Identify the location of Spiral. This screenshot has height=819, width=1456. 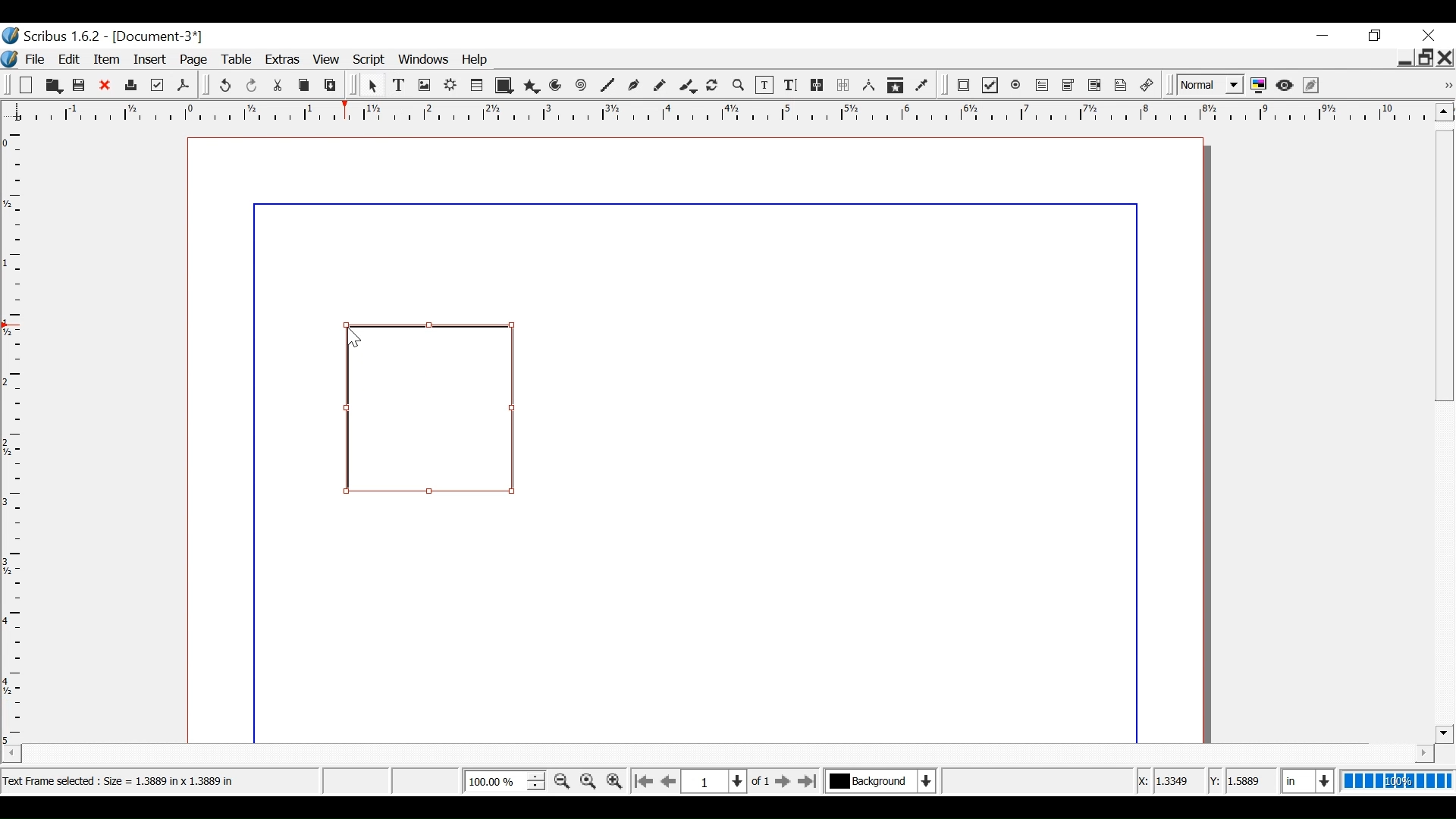
(582, 86).